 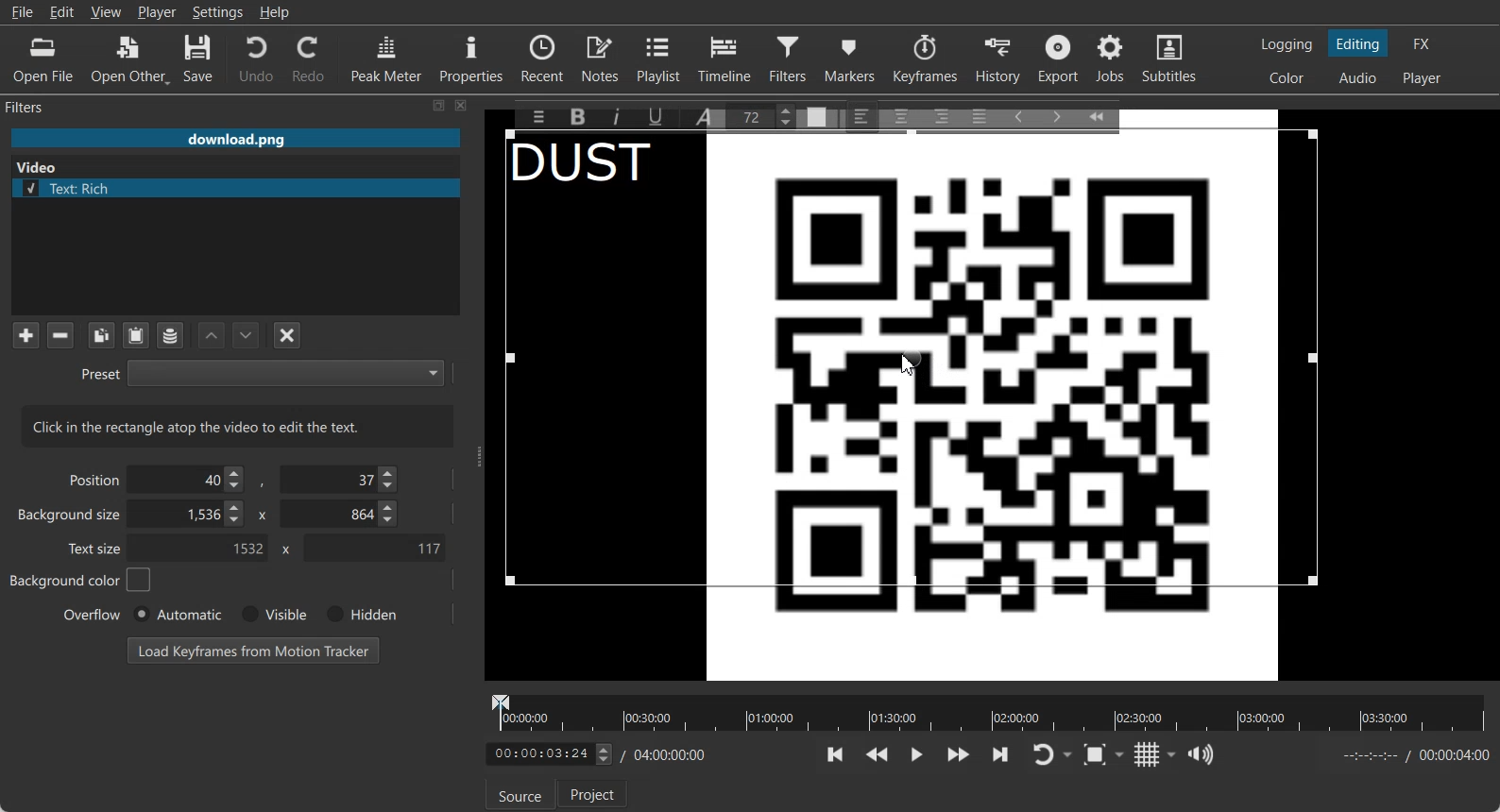 What do you see at coordinates (204, 550) in the screenshot?
I see `Text size X- Co-ordinate` at bounding box center [204, 550].